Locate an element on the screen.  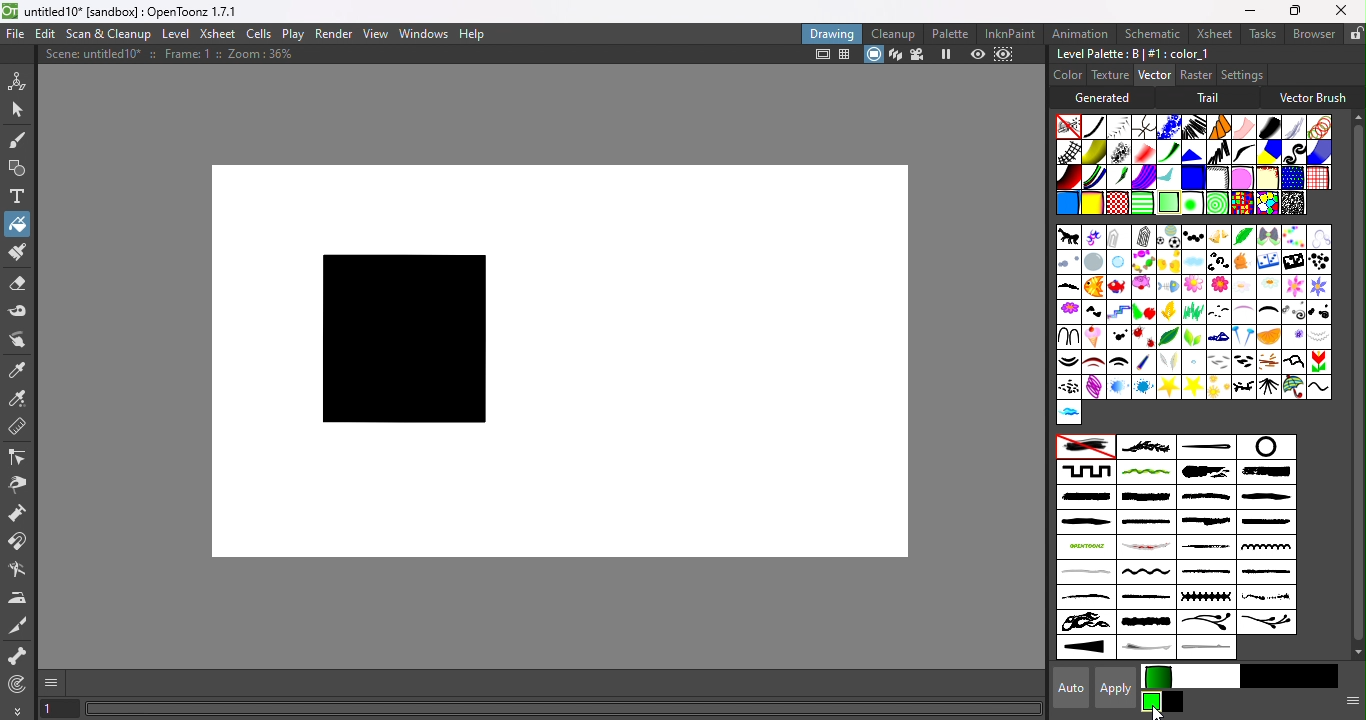
Fade is located at coordinates (1143, 151).